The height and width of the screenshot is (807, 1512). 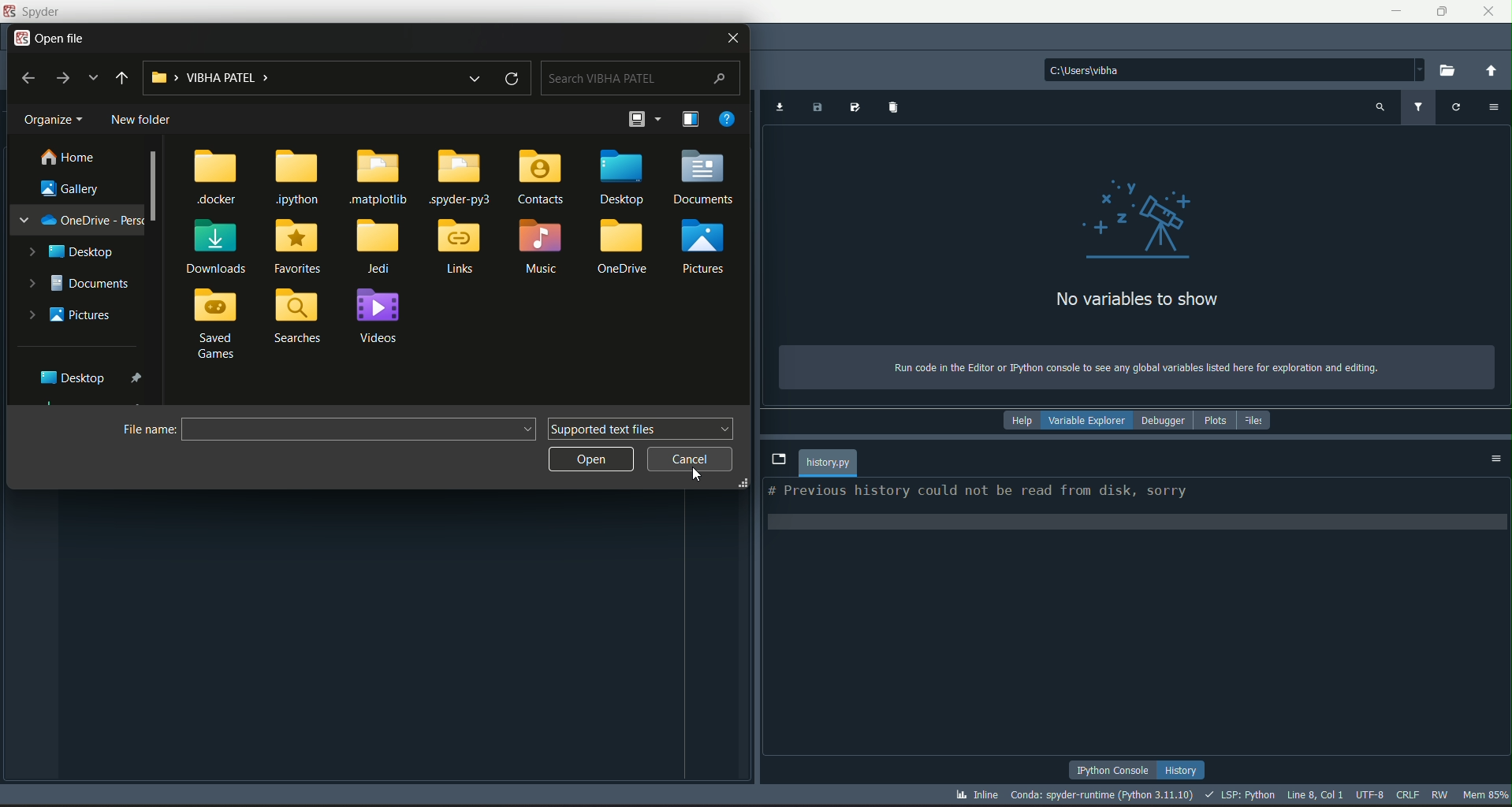 I want to click on pictures, so click(x=709, y=247).